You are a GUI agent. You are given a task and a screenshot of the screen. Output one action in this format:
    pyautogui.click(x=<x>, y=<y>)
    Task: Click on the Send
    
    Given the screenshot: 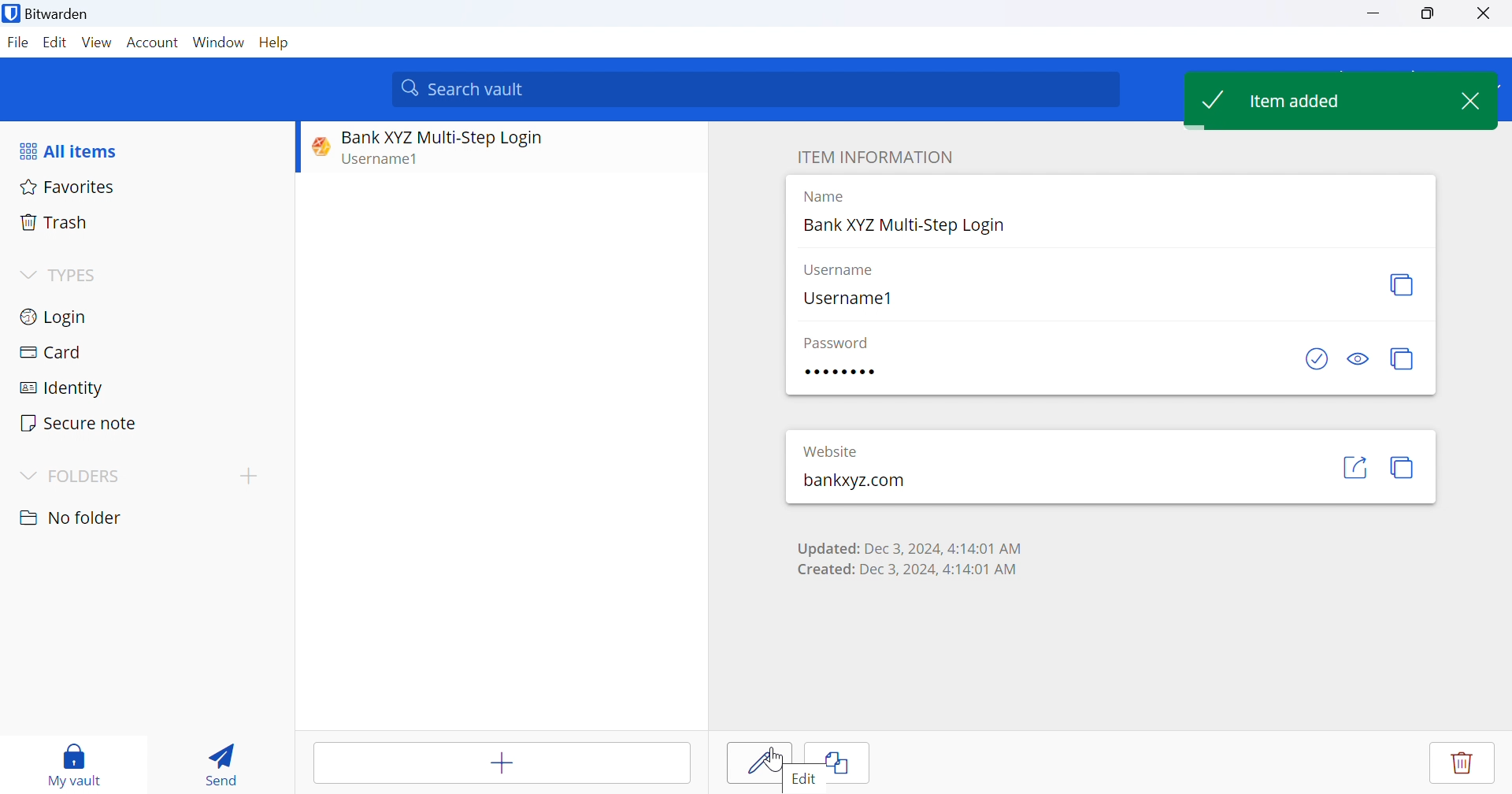 What is the action you would take?
    pyautogui.click(x=224, y=760)
    